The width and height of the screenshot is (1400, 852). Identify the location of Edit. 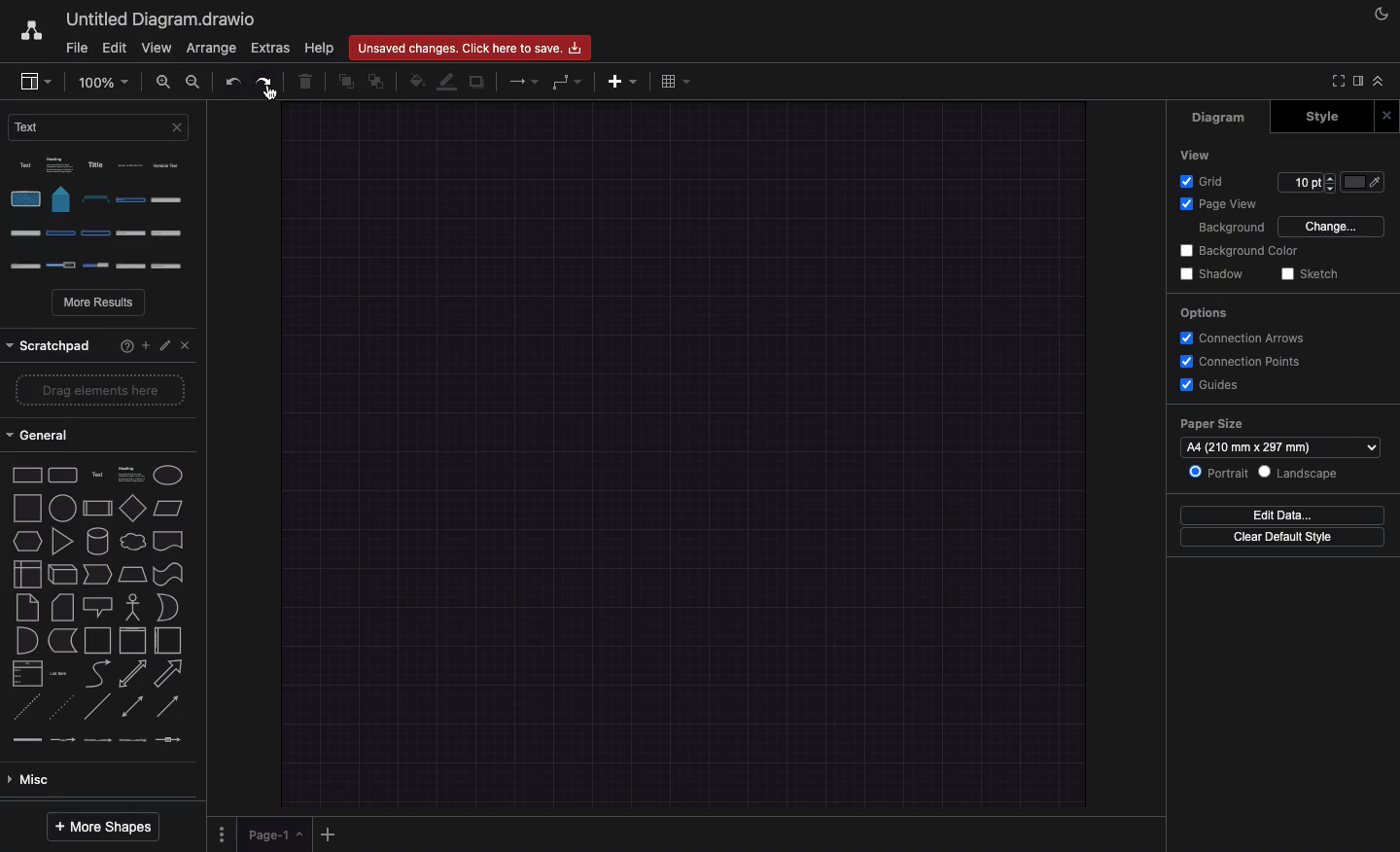
(116, 47).